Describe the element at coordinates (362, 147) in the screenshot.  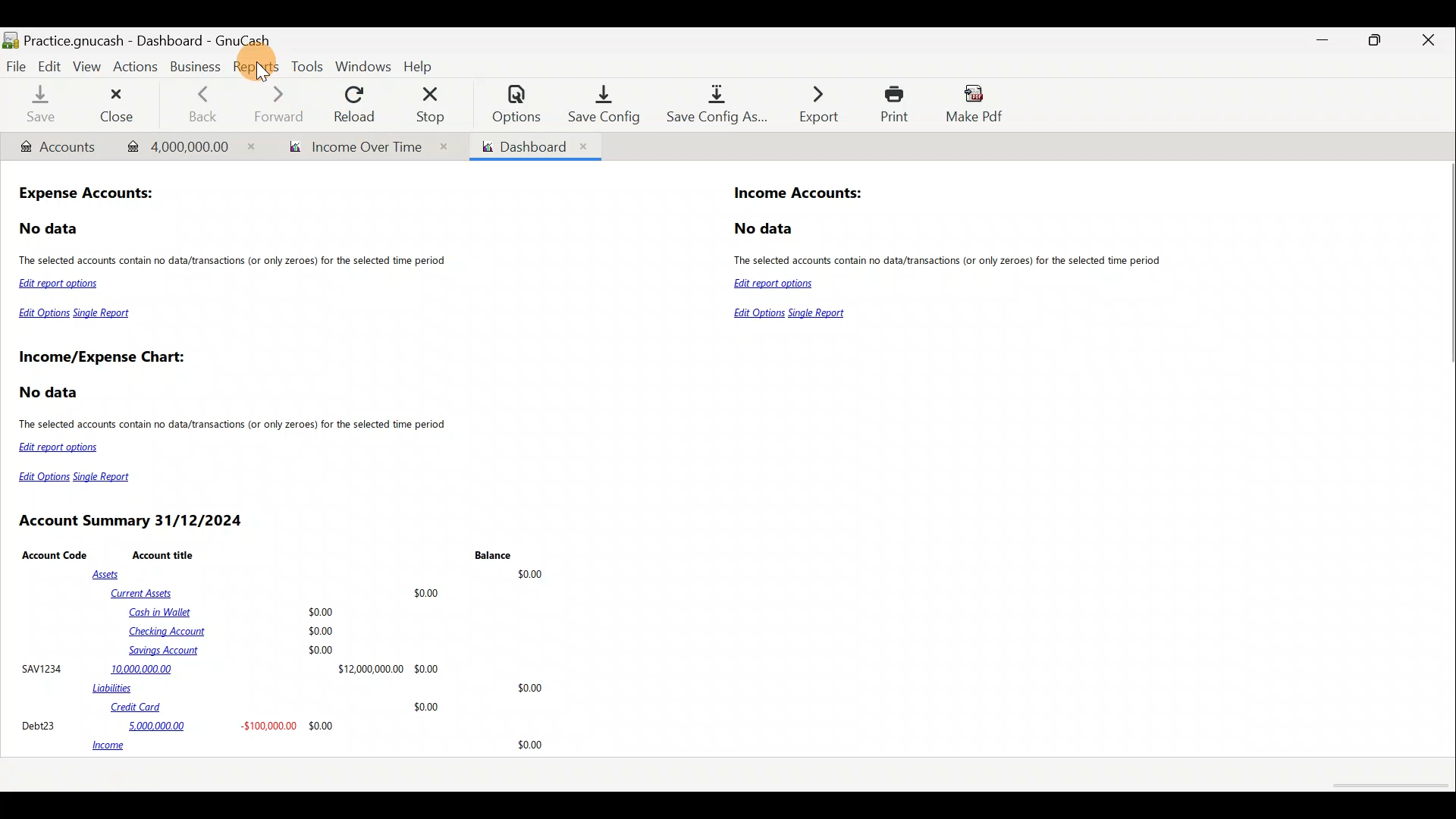
I see `Report` at that location.